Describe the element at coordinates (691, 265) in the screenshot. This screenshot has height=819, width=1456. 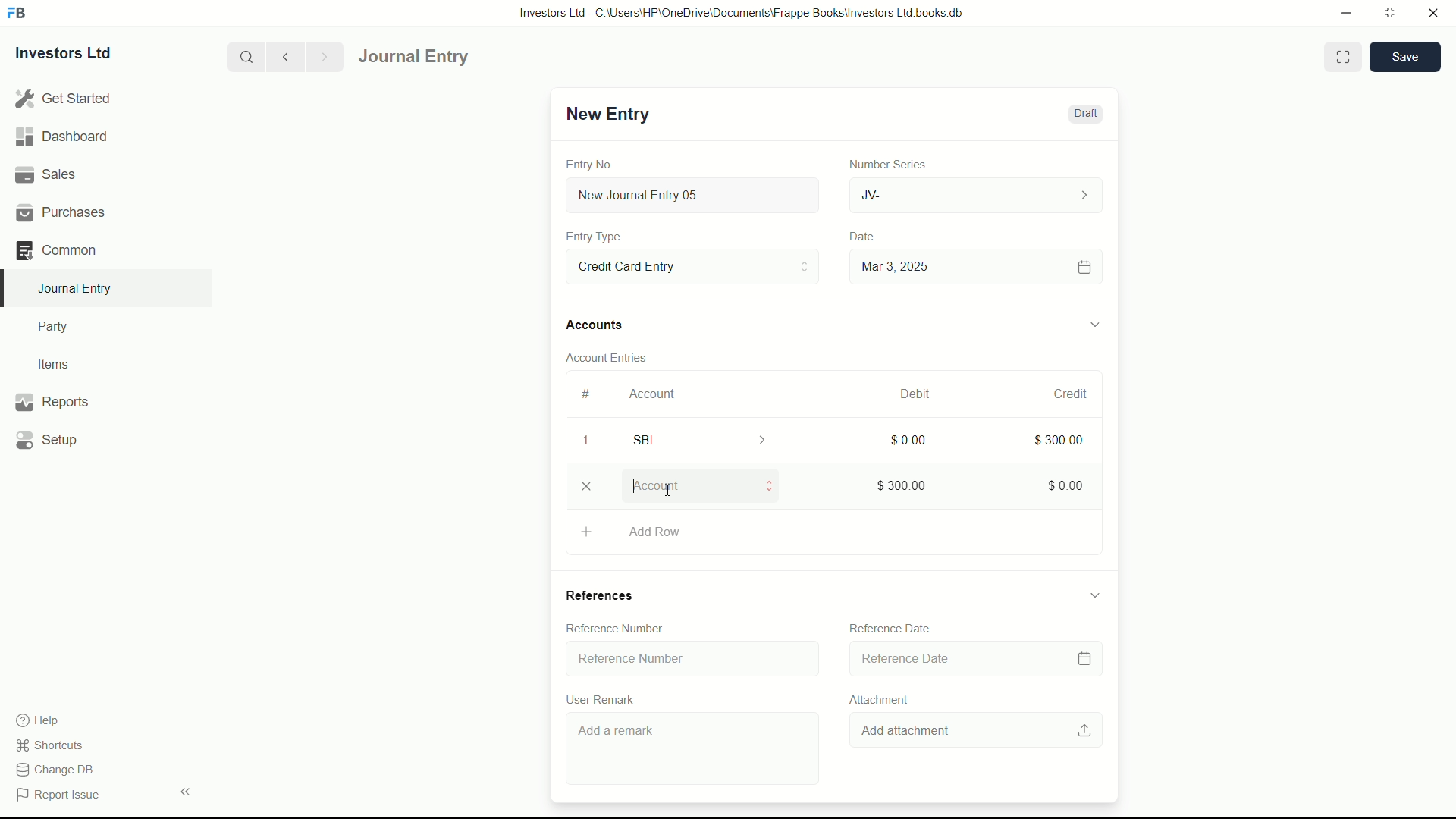
I see `Entry Type` at that location.